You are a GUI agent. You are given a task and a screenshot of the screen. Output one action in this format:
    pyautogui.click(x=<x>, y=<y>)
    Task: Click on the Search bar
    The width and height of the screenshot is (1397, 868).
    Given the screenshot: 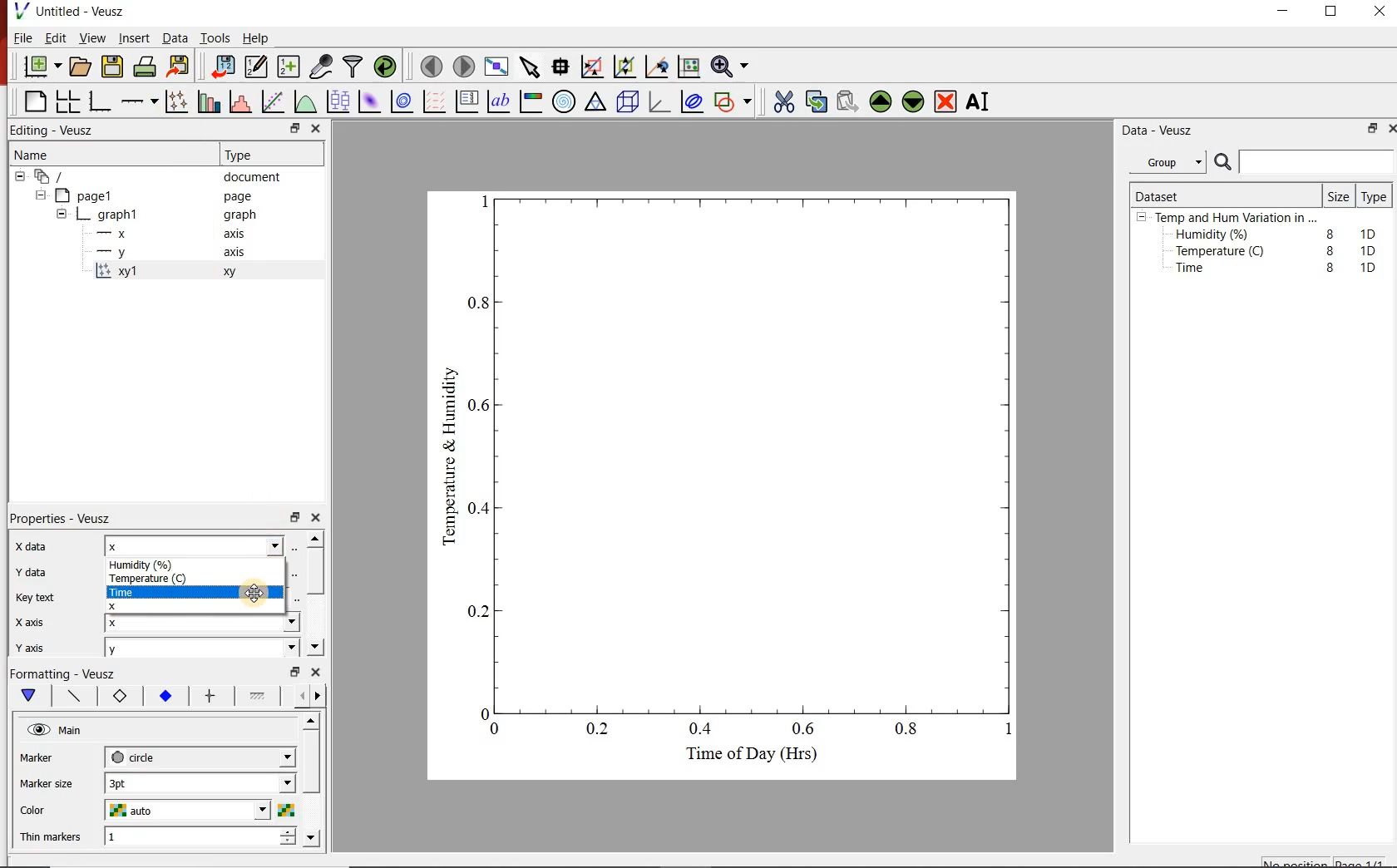 What is the action you would take?
    pyautogui.click(x=1304, y=162)
    